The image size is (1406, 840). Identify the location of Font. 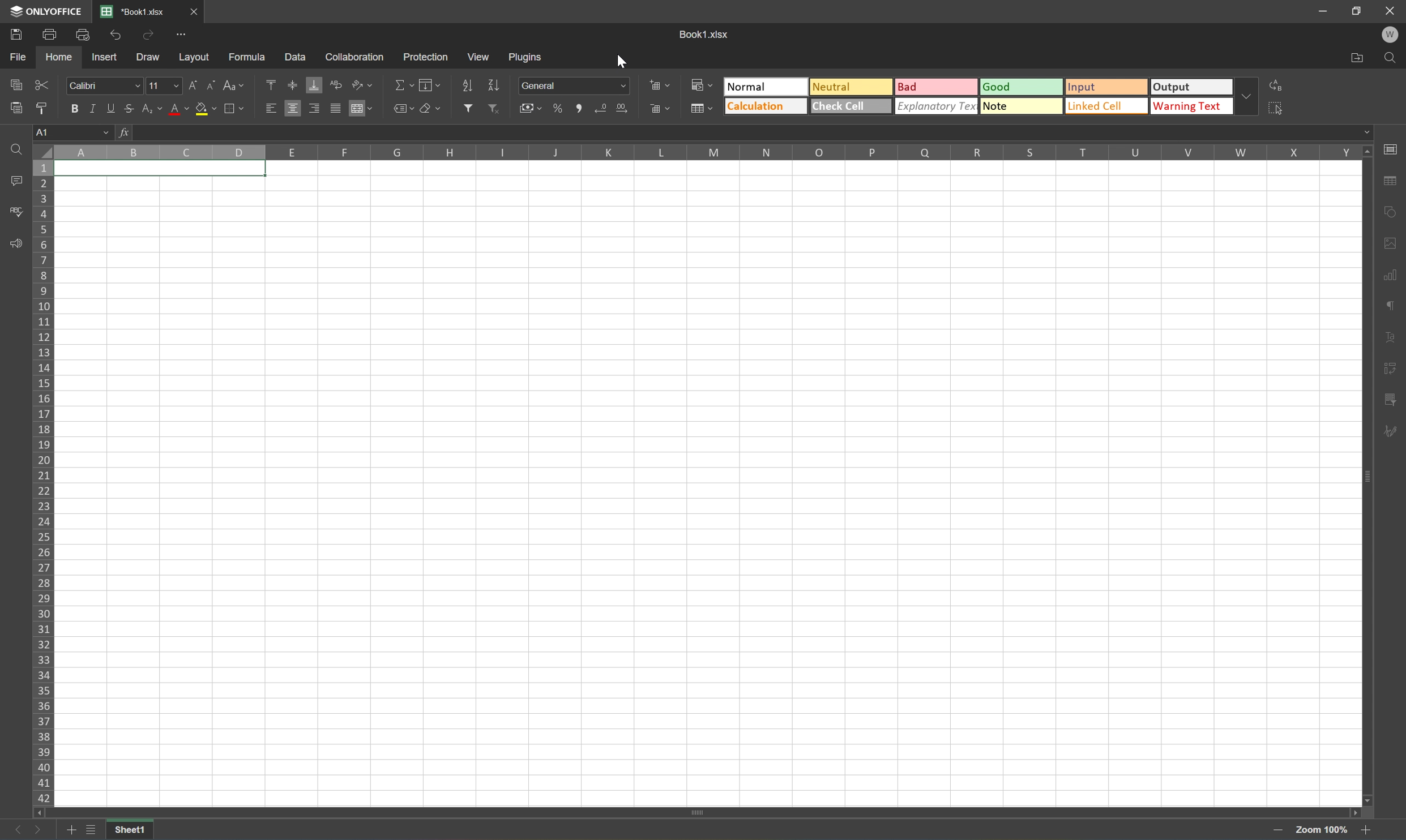
(104, 85).